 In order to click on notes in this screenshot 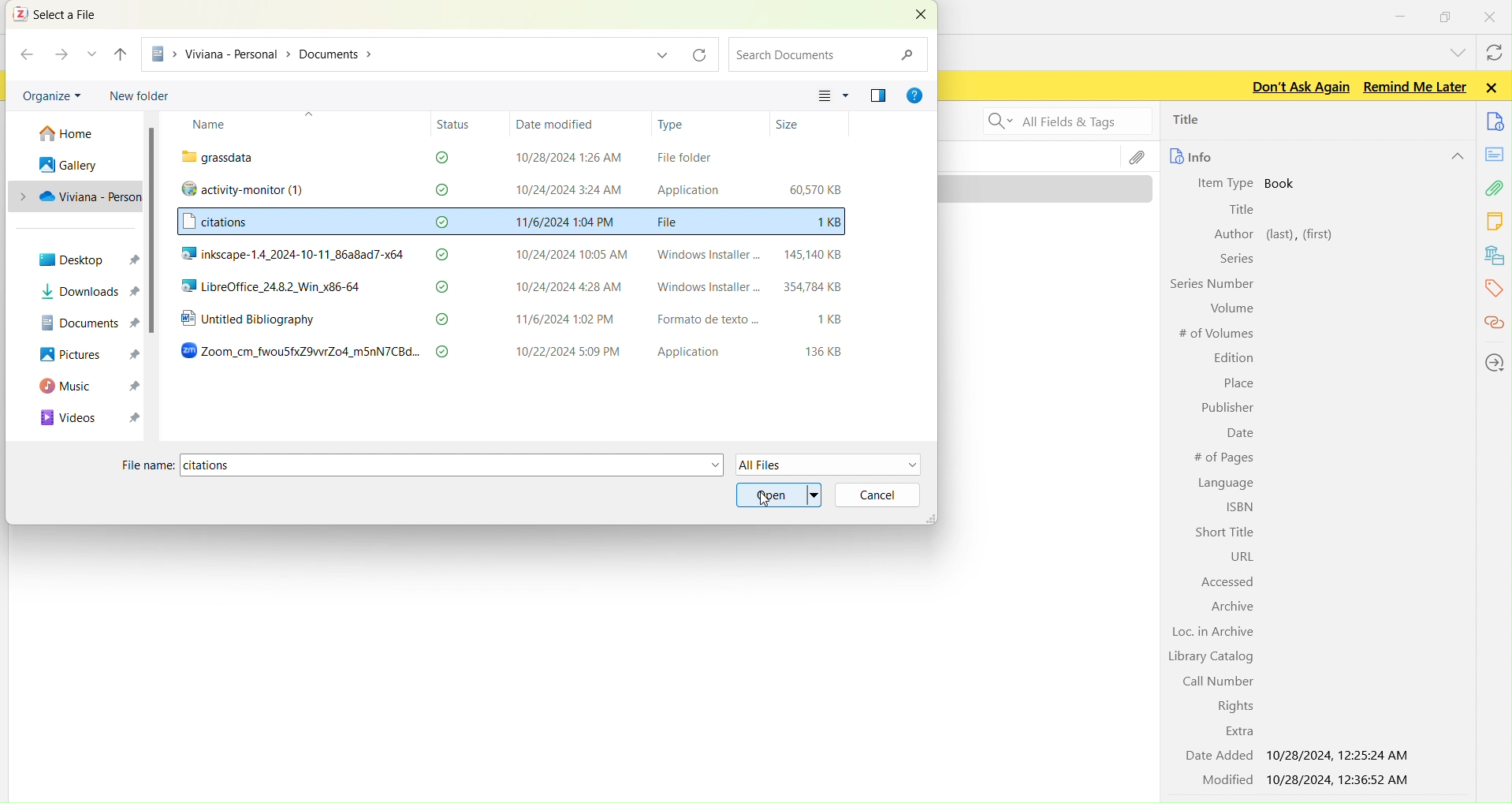, I will do `click(1496, 220)`.